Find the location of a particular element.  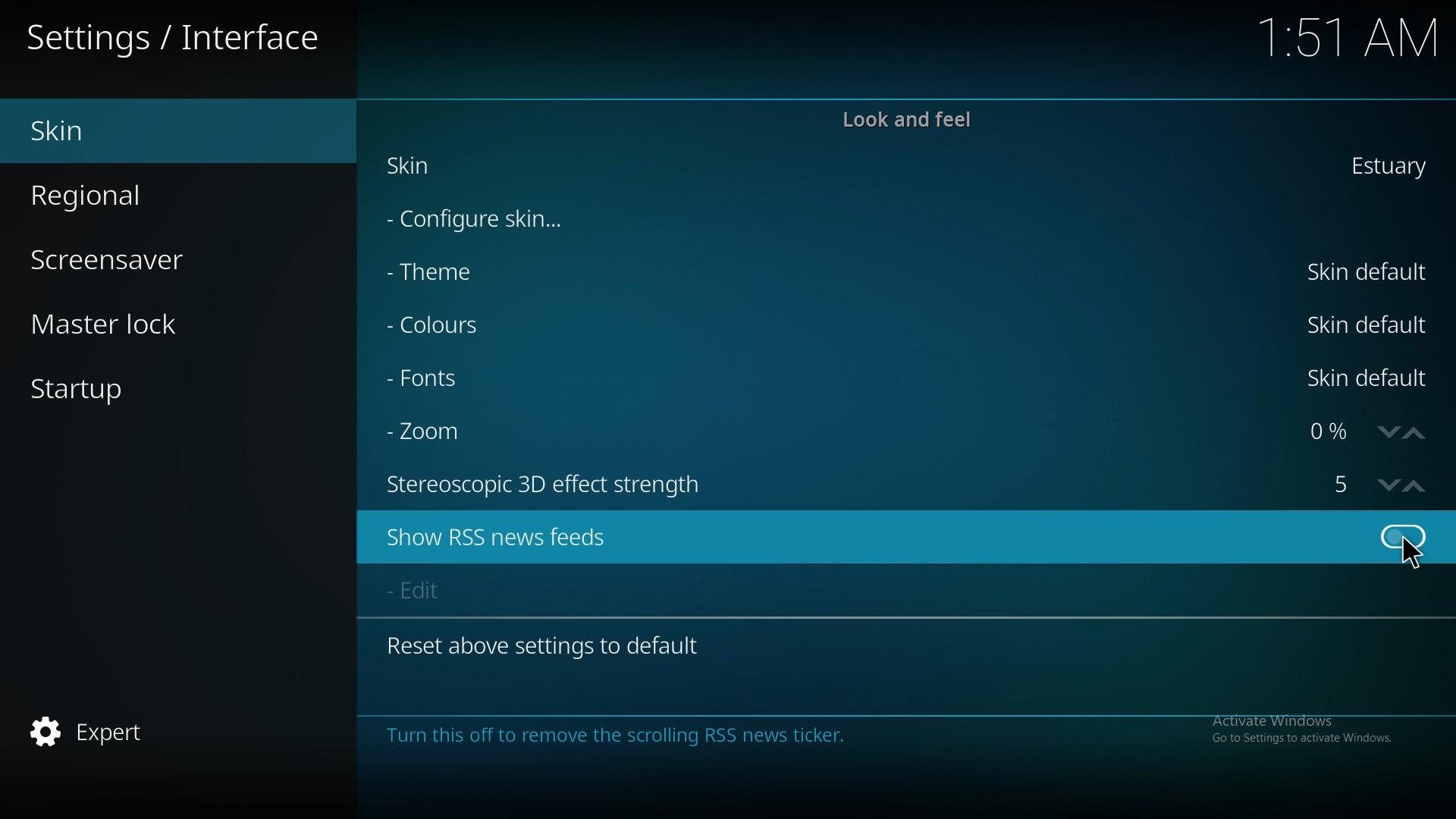

Cursor is located at coordinates (1413, 567).